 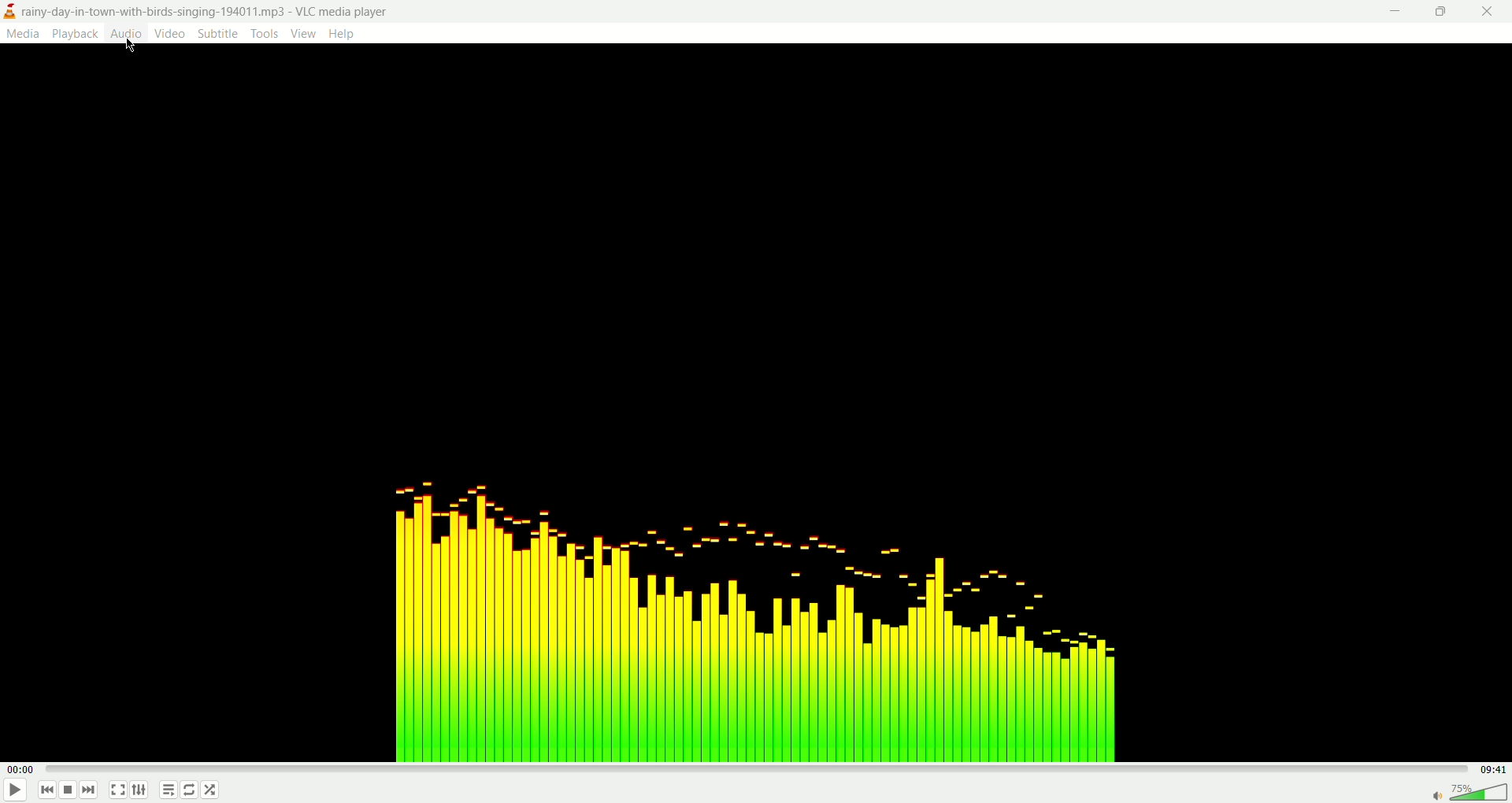 What do you see at coordinates (132, 46) in the screenshot?
I see `cursor` at bounding box center [132, 46].